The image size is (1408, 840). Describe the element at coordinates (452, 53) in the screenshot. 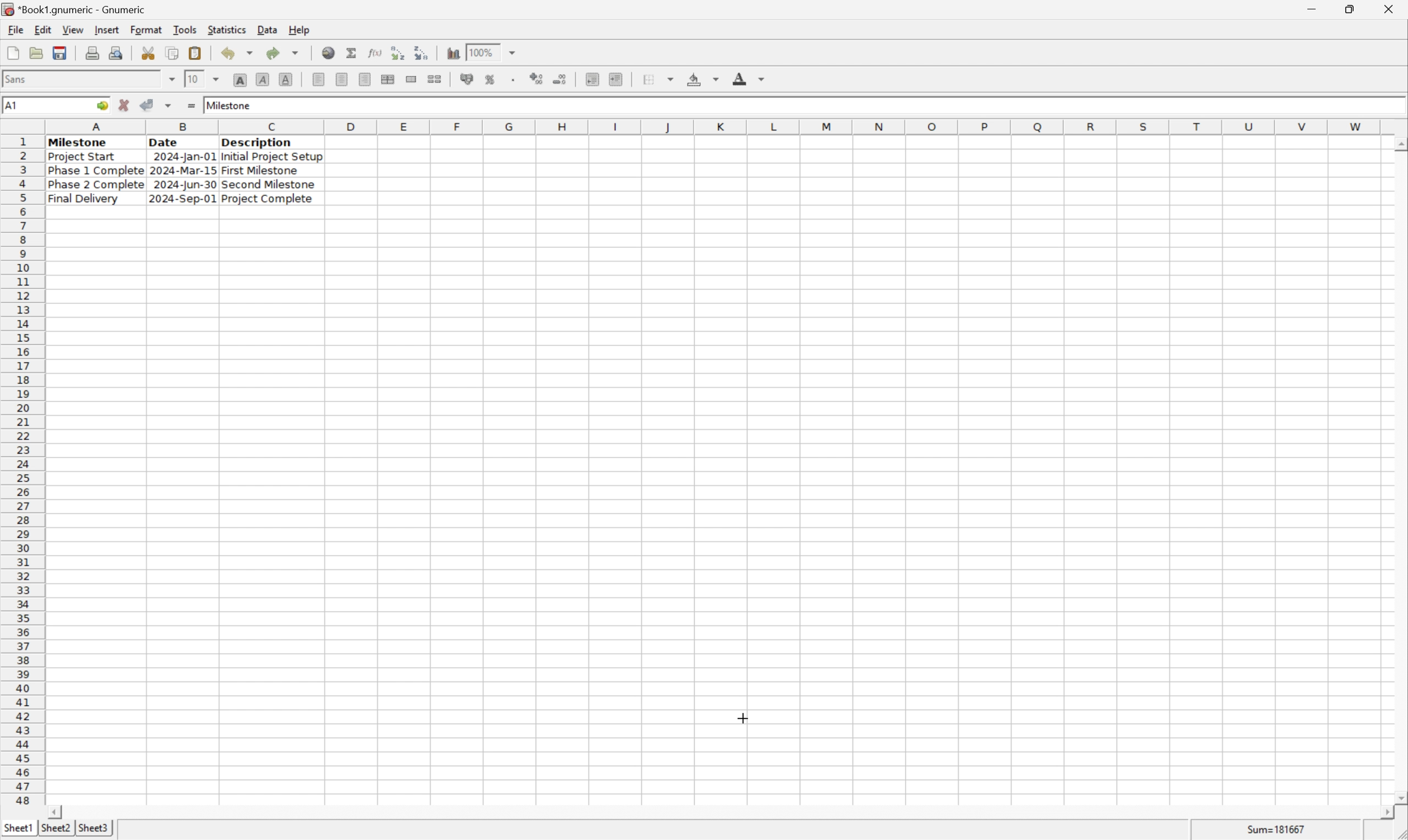

I see `insert chart` at that location.